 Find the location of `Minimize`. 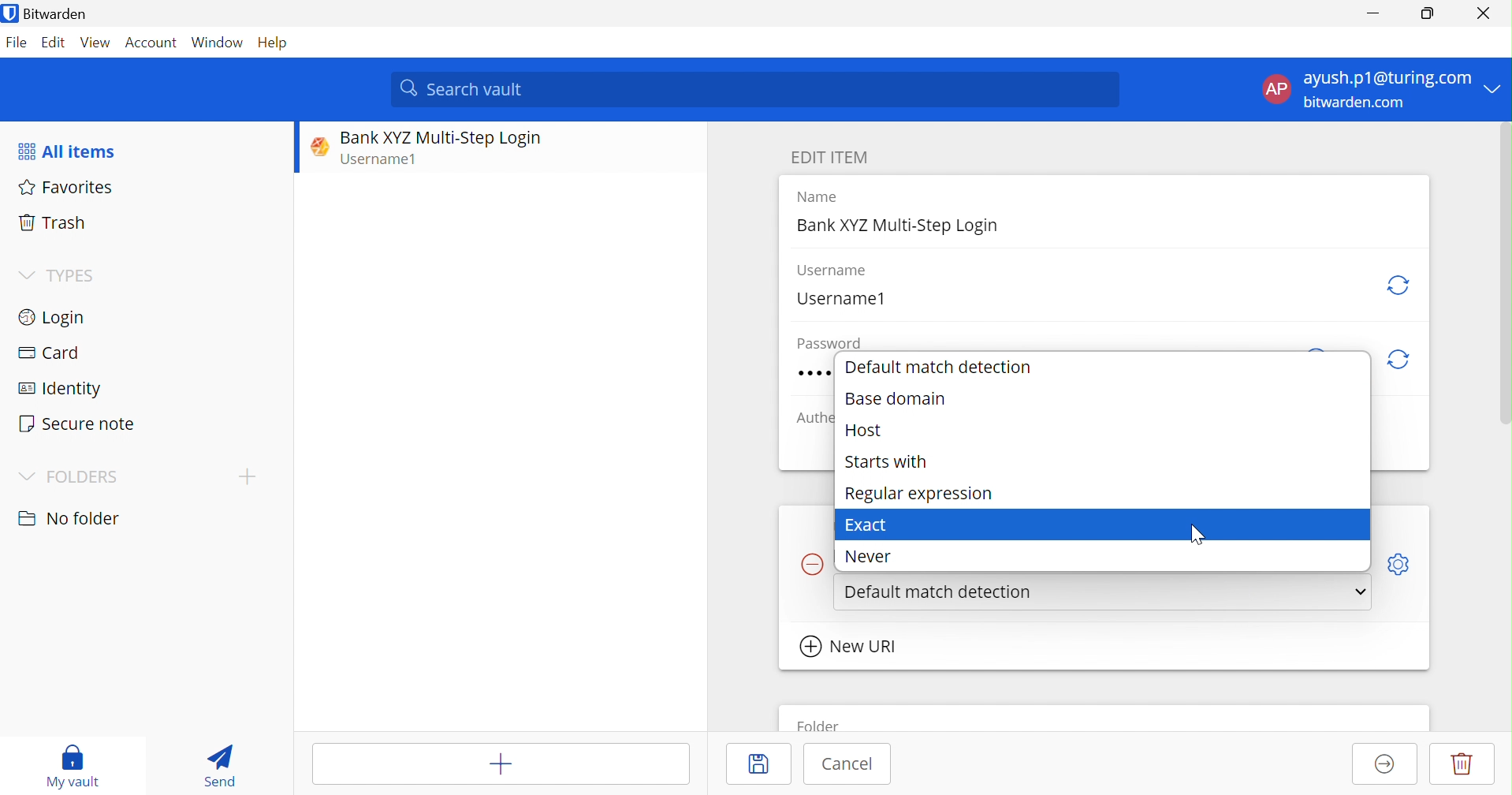

Minimize is located at coordinates (1371, 15).